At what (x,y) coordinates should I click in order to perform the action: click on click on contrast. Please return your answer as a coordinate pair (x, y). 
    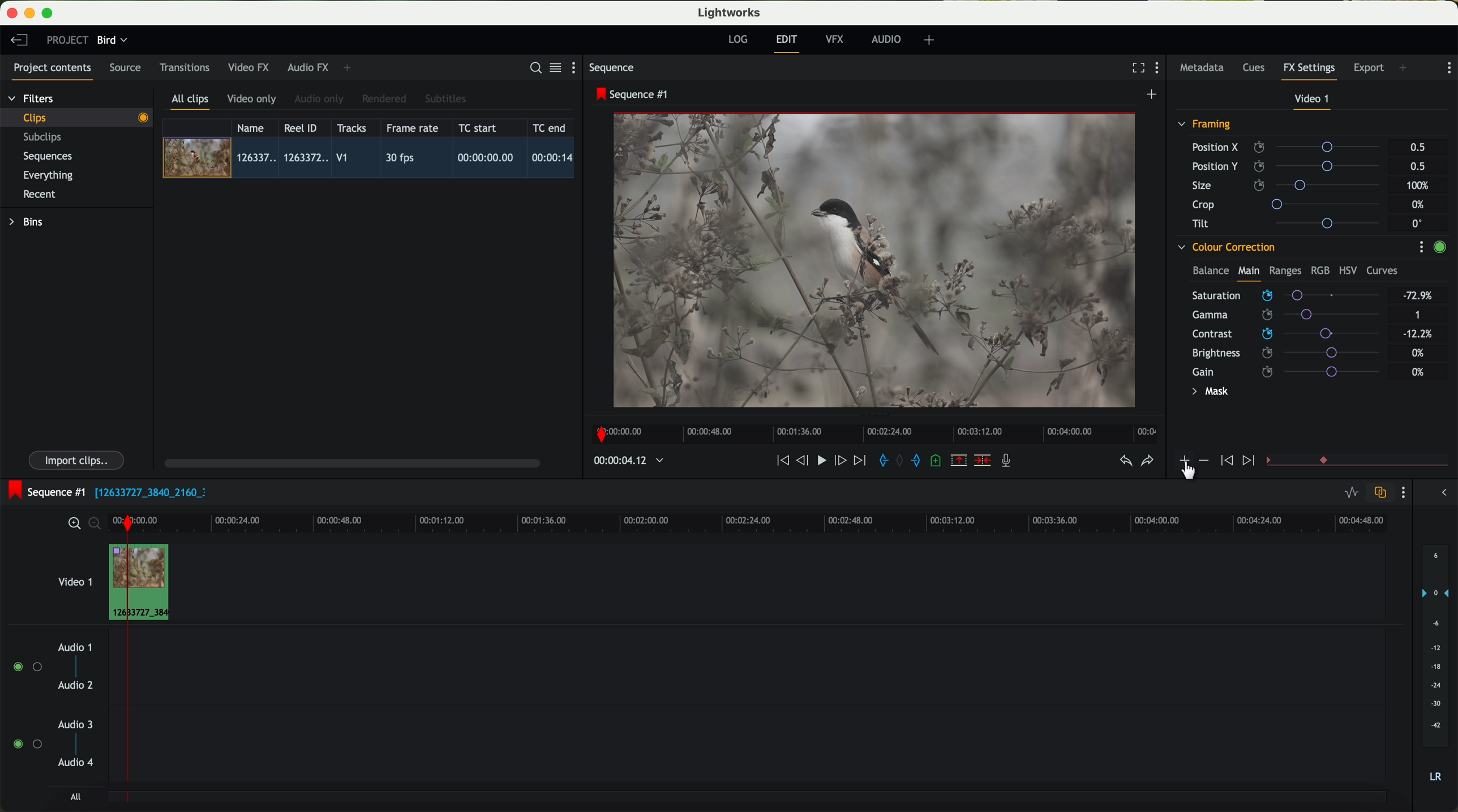
    Looking at the image, I should click on (1286, 335).